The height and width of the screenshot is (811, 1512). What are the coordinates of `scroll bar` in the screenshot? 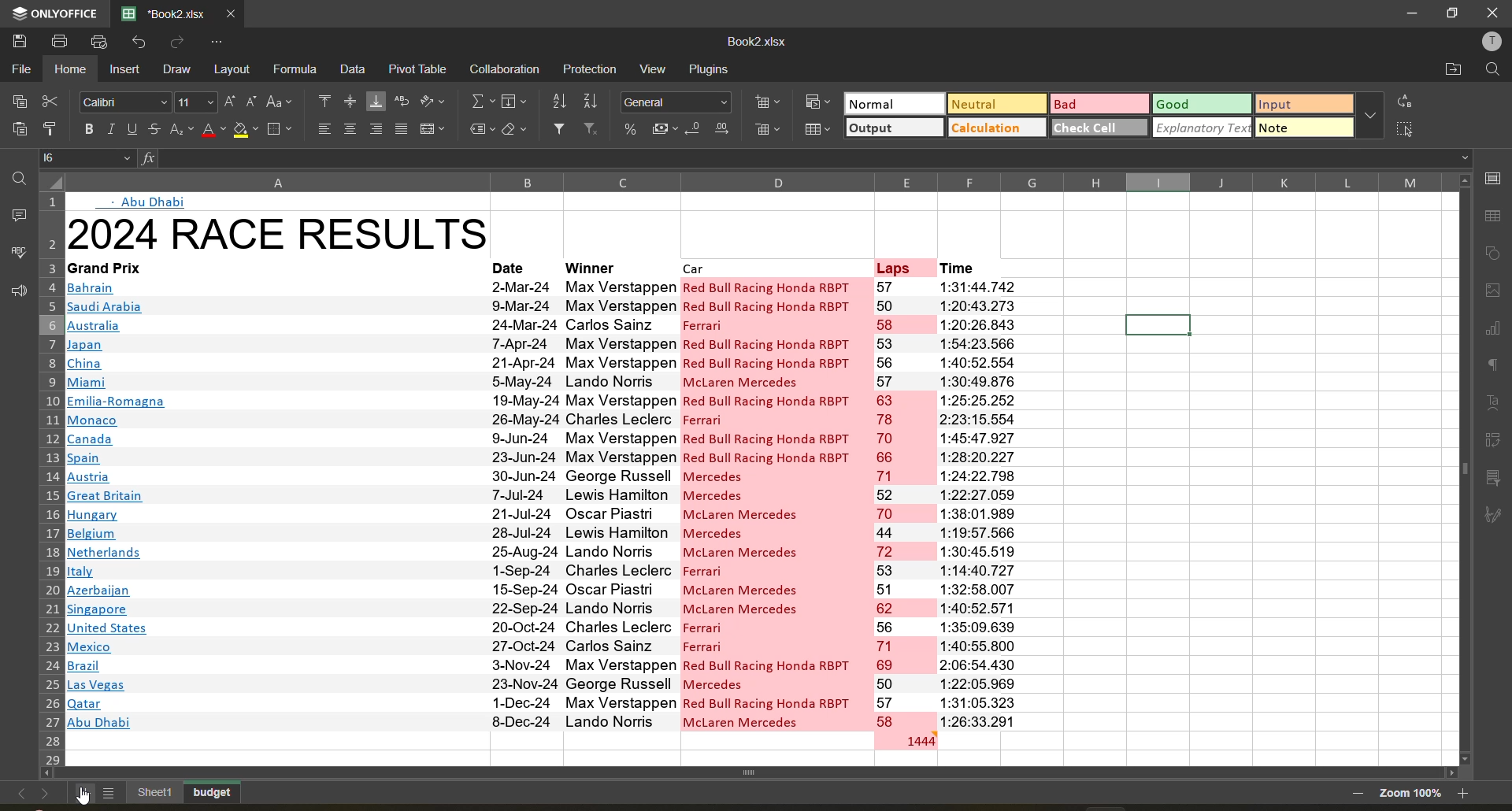 It's located at (1462, 434).